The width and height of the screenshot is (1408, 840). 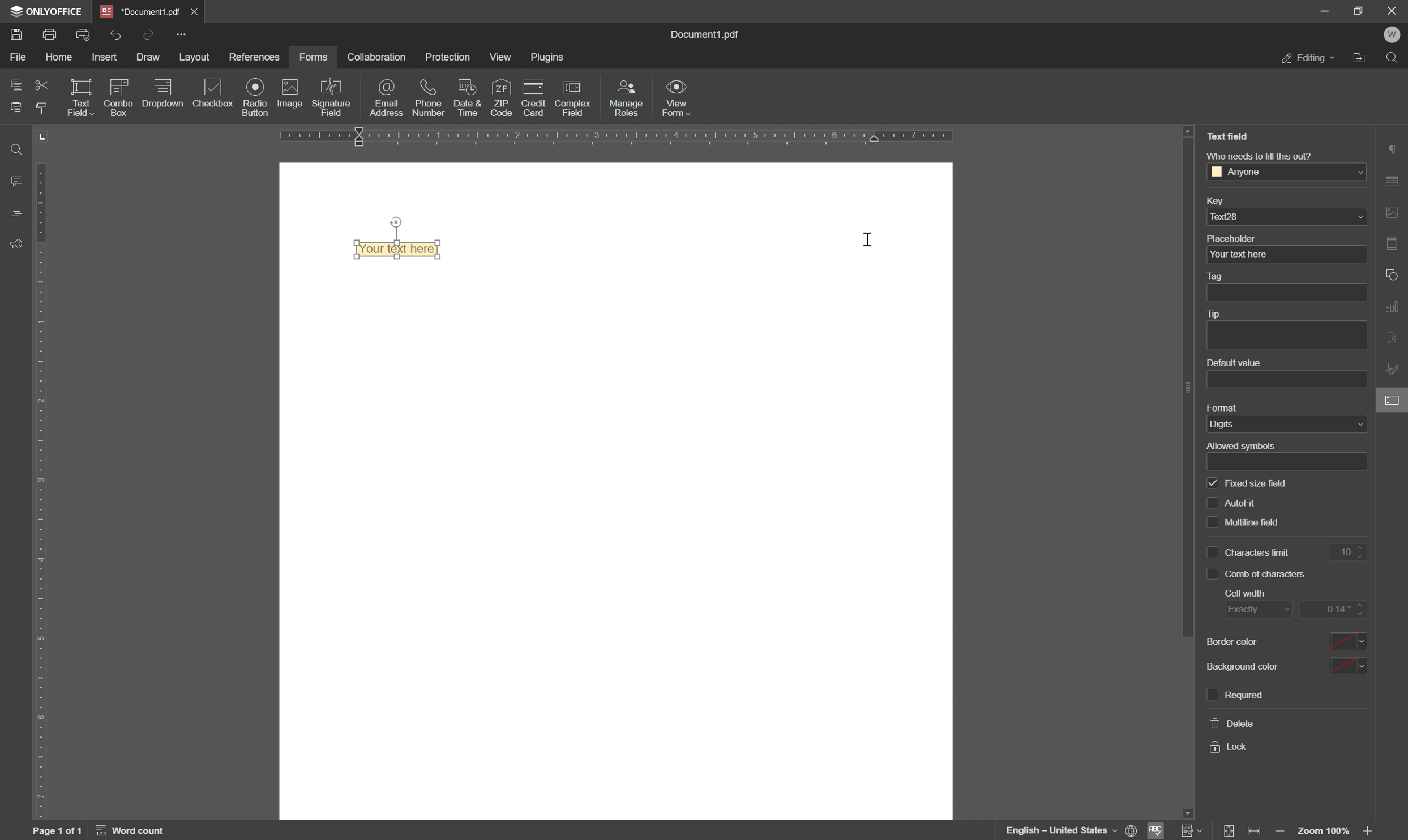 What do you see at coordinates (15, 35) in the screenshot?
I see `save` at bounding box center [15, 35].